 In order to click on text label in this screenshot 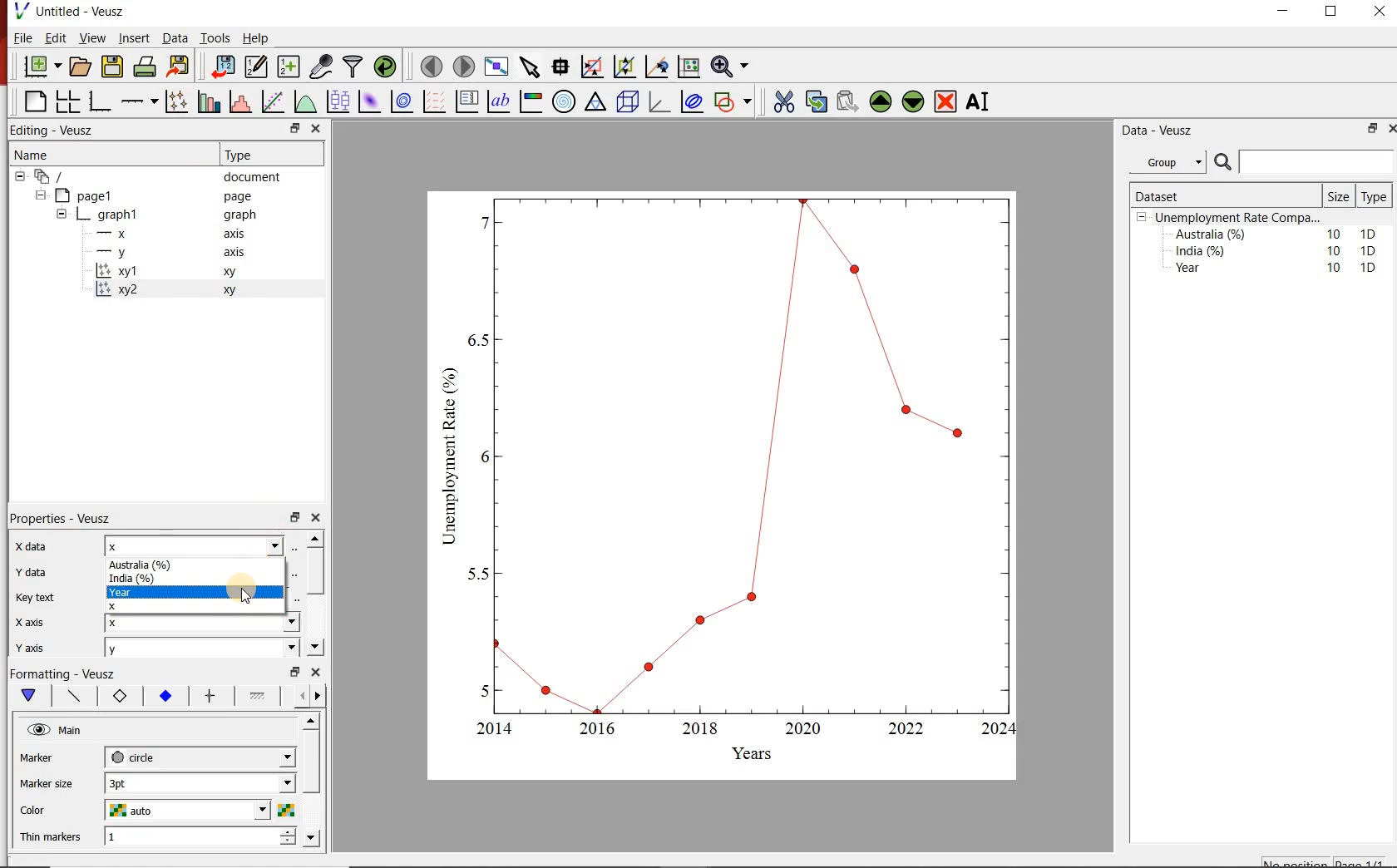, I will do `click(499, 101)`.